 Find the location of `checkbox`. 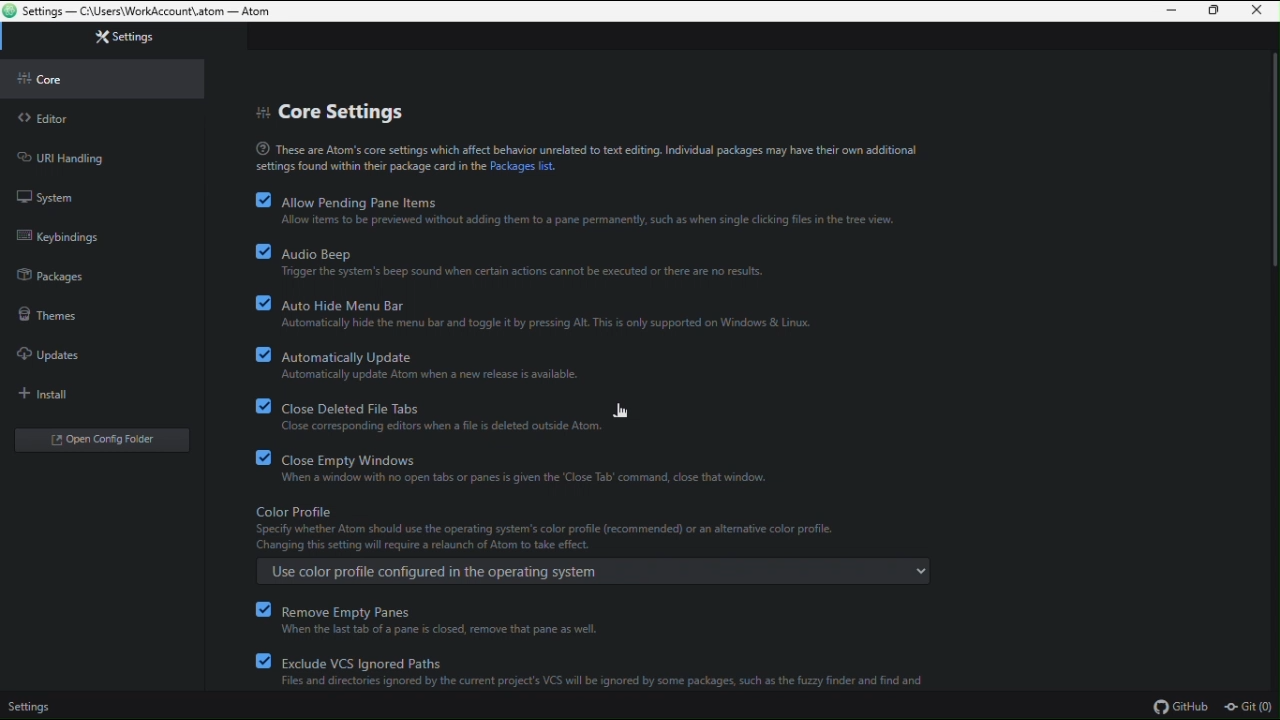

checkbox is located at coordinates (262, 251).